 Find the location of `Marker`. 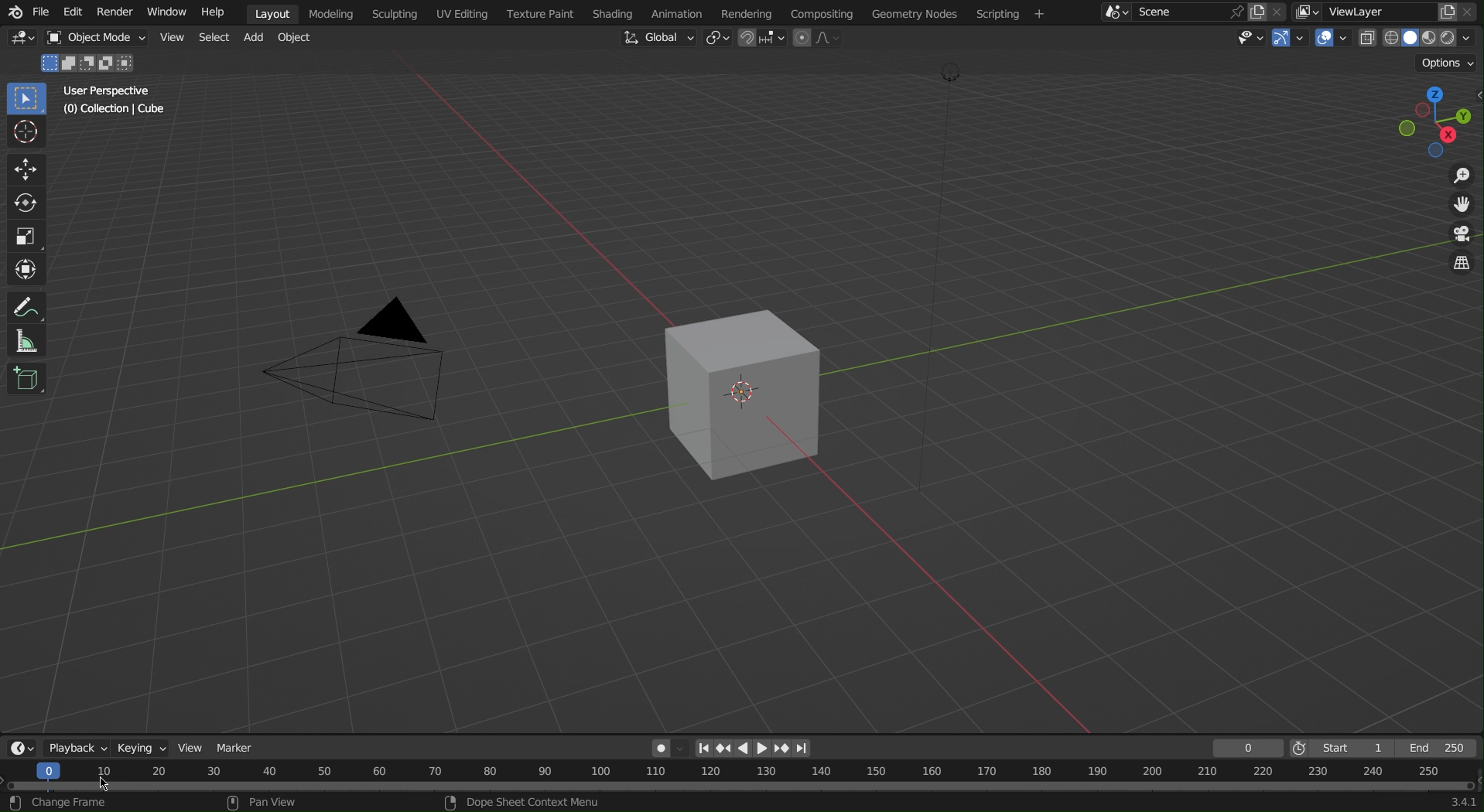

Marker is located at coordinates (244, 745).